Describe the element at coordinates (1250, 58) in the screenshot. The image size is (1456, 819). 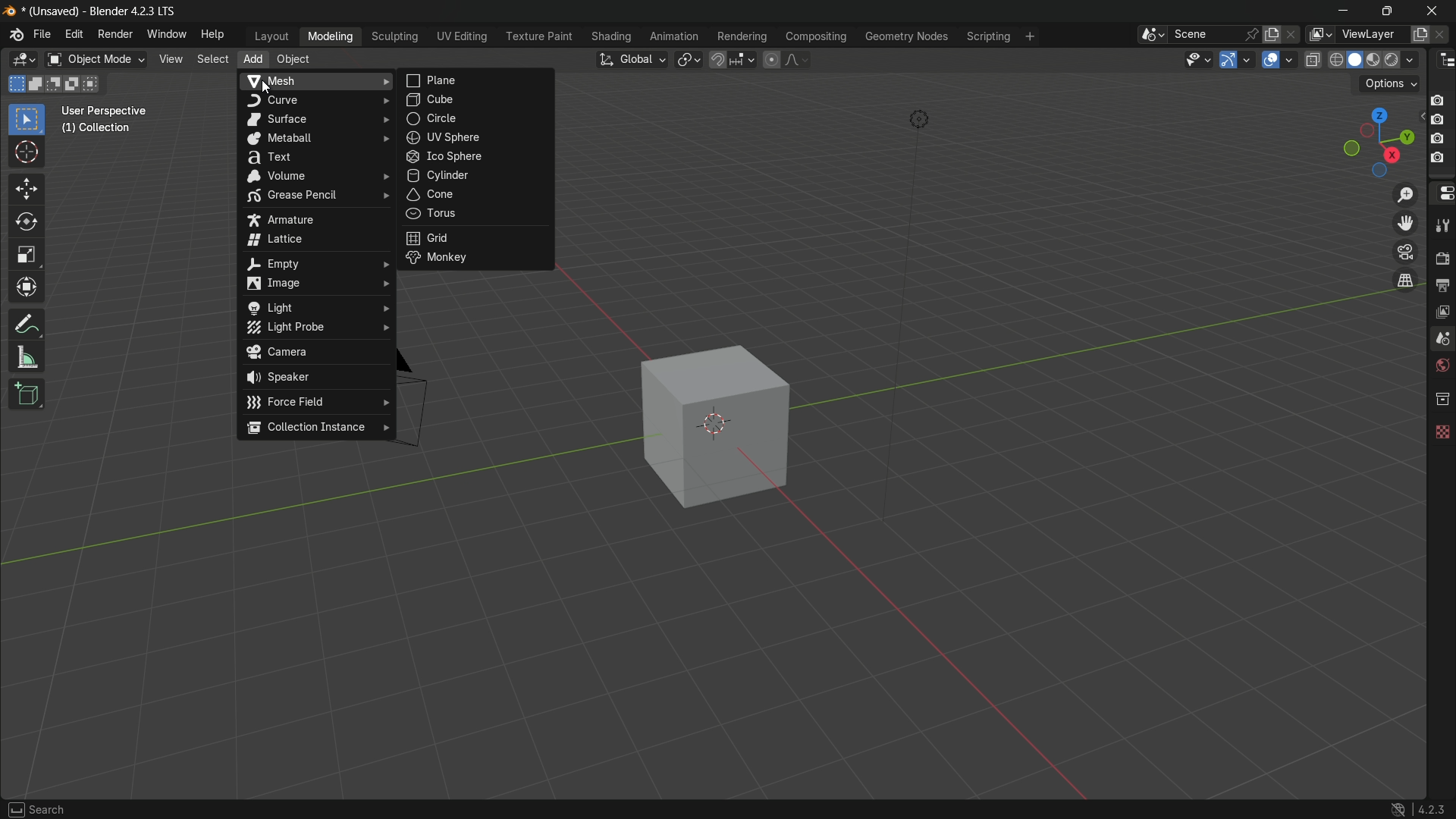
I see `gizmos` at that location.